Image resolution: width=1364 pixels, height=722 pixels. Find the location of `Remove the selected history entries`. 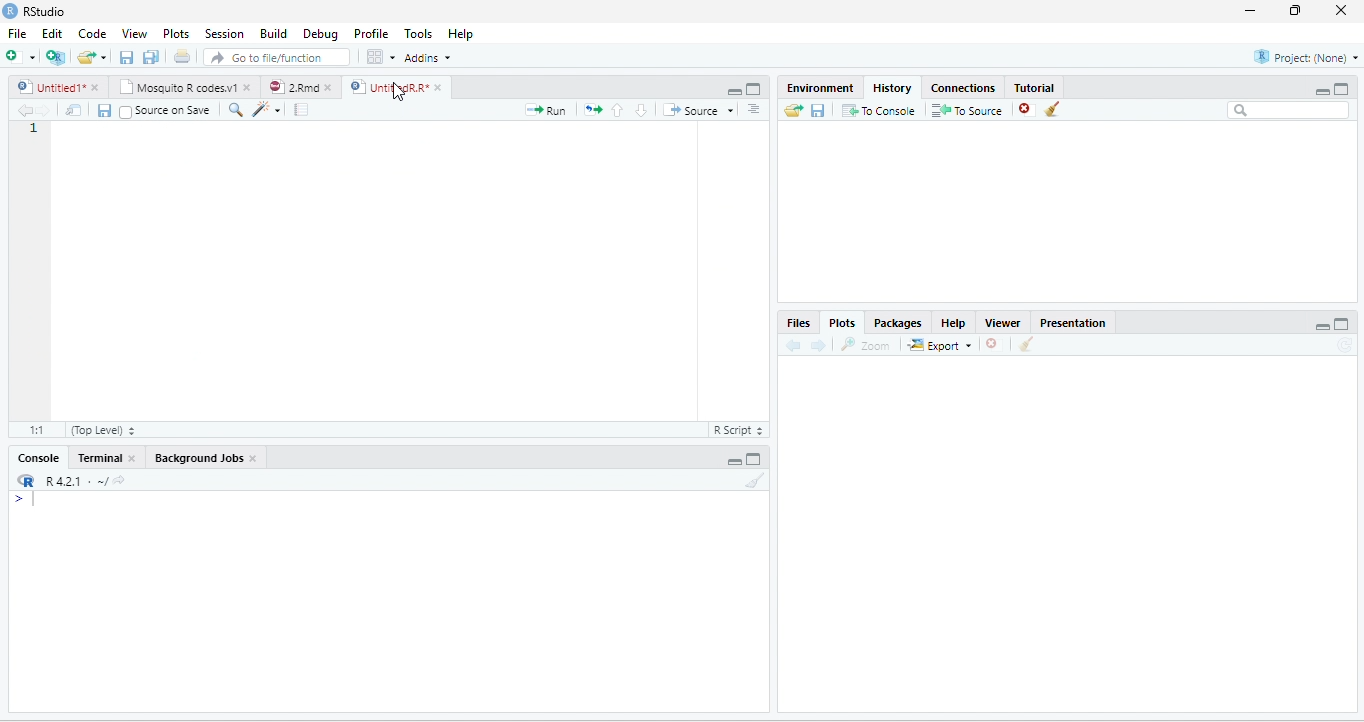

Remove the selected history entries is located at coordinates (1027, 110).